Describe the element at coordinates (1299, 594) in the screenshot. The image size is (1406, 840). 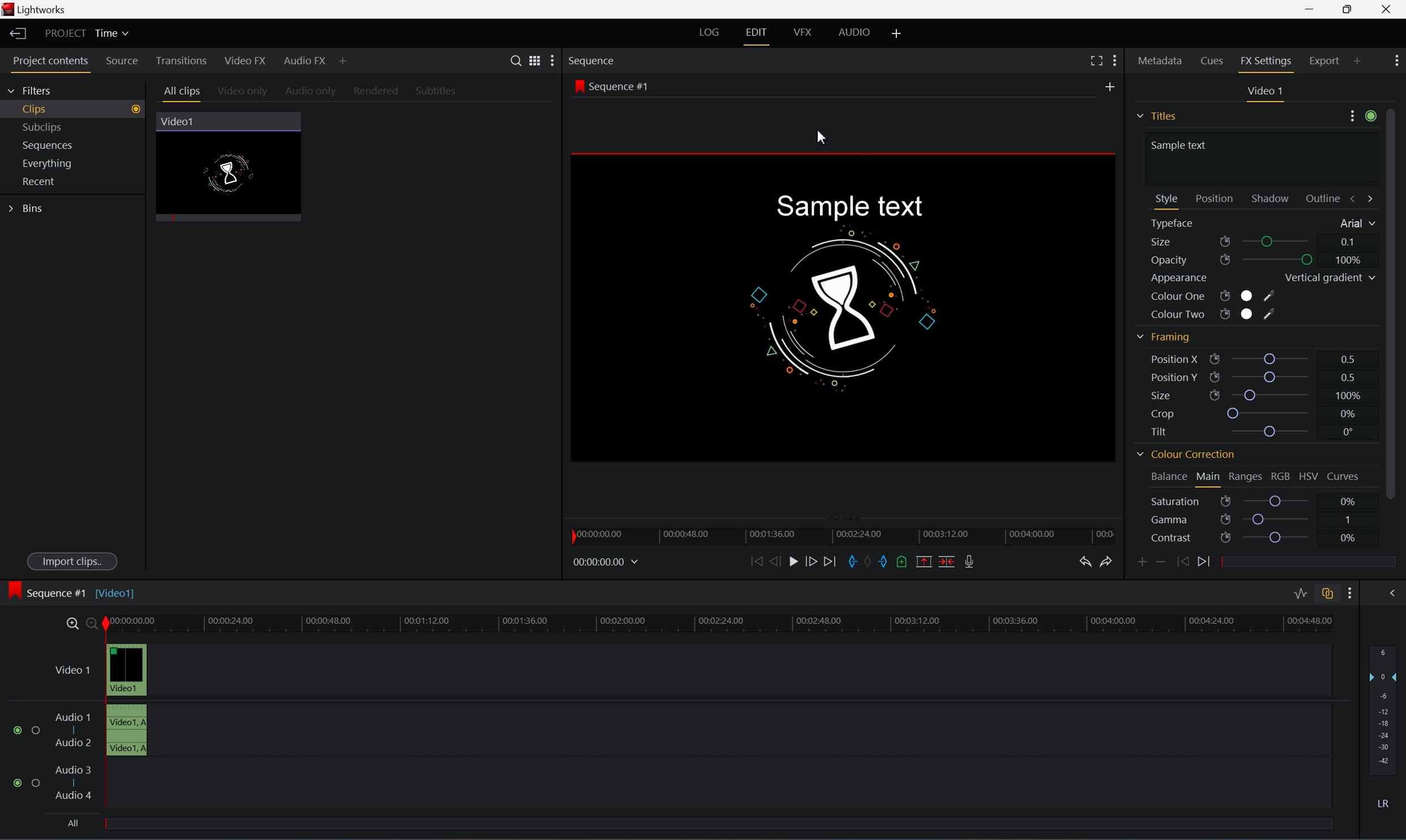
I see `toggle audio levels editing` at that location.